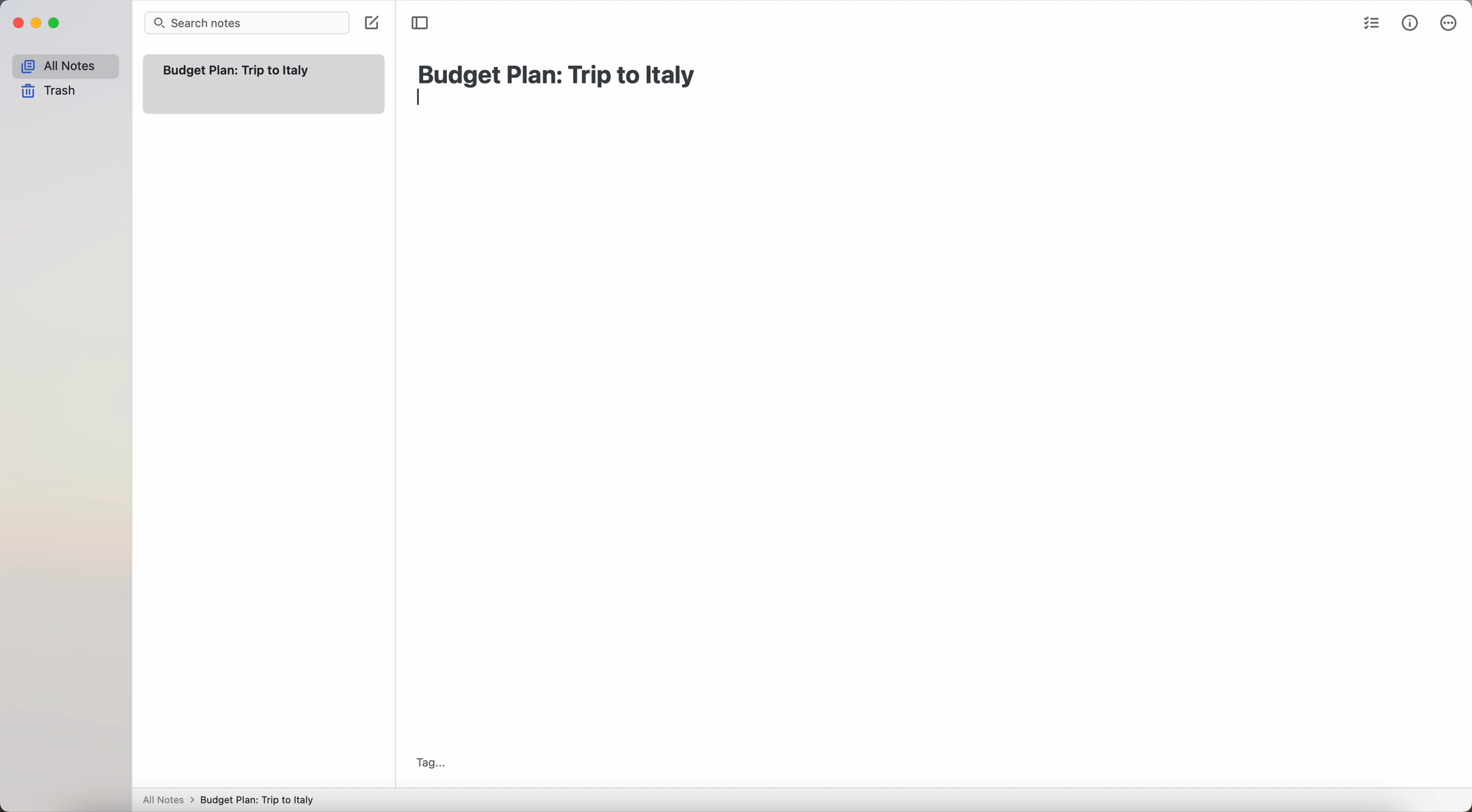  I want to click on budget plan: trip to Italy, so click(559, 73).